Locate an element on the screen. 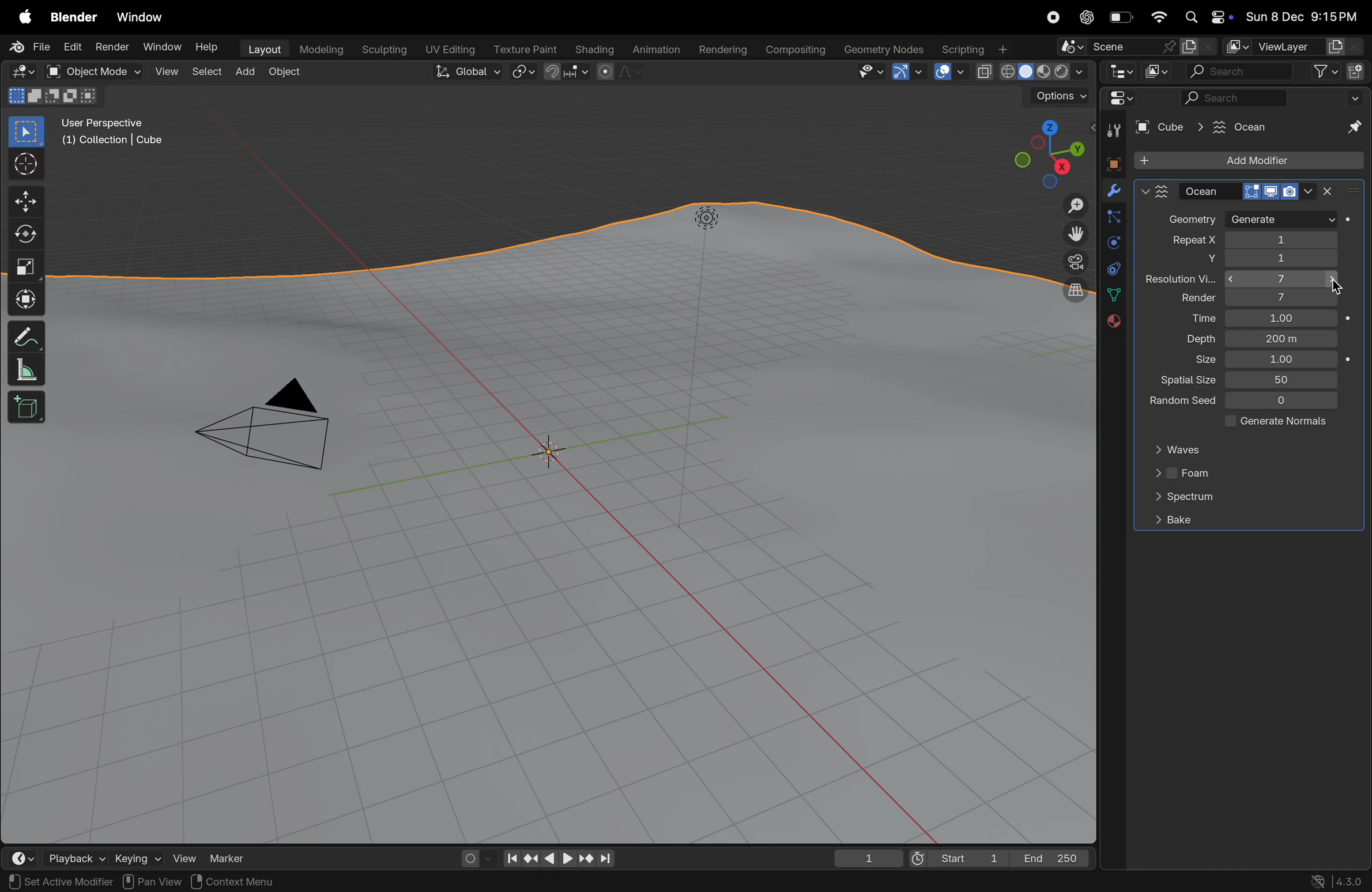 Image resolution: width=1372 pixels, height=892 pixels. tool is located at coordinates (1111, 131).